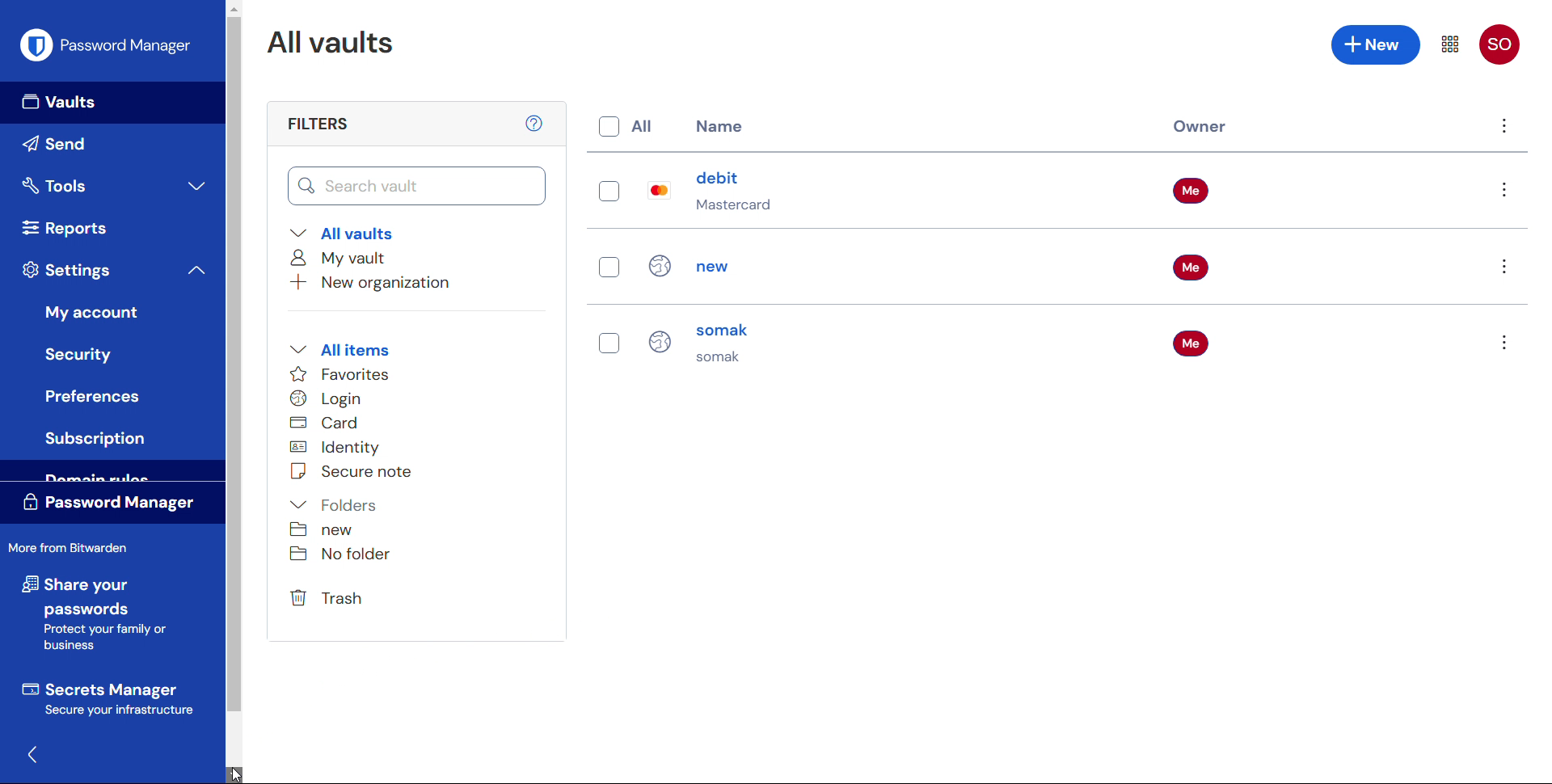 The height and width of the screenshot is (784, 1552). Describe the element at coordinates (348, 554) in the screenshot. I see `No folder ` at that location.